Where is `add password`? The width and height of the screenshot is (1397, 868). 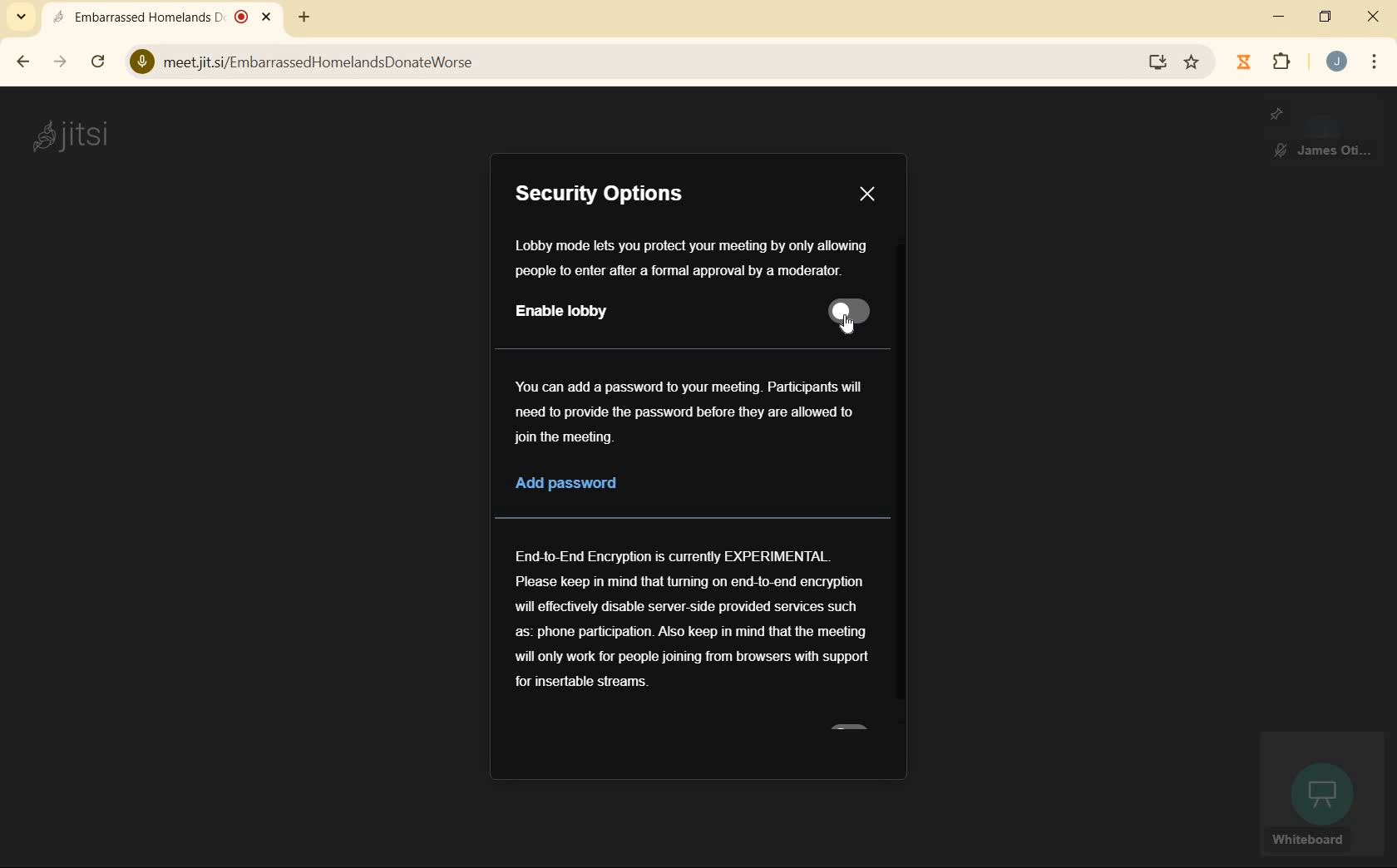 add password is located at coordinates (653, 486).